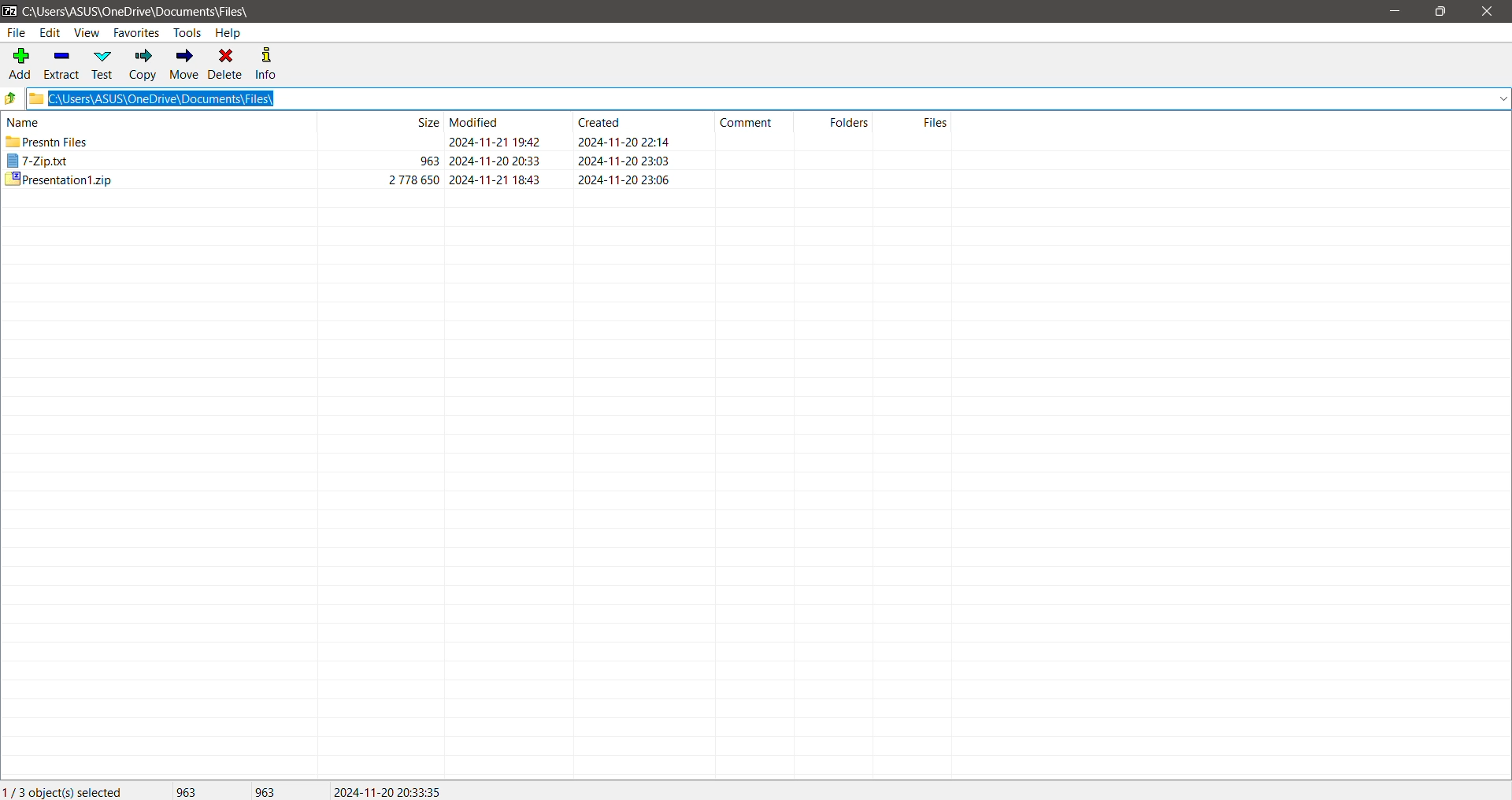 The width and height of the screenshot is (1512, 800). What do you see at coordinates (65, 791) in the screenshot?
I see `Current Selection` at bounding box center [65, 791].